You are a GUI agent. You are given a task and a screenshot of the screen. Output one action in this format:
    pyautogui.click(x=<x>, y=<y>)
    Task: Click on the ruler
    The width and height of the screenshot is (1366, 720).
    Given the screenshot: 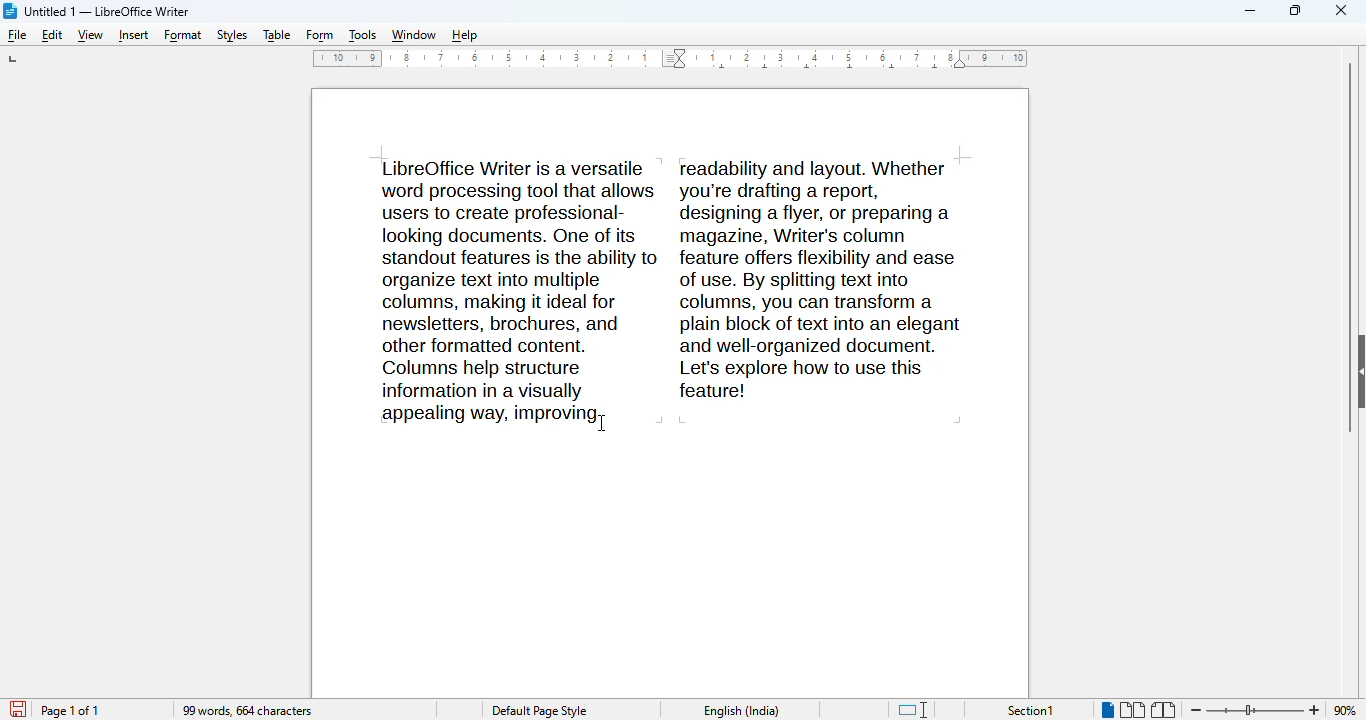 What is the action you would take?
    pyautogui.click(x=482, y=59)
    